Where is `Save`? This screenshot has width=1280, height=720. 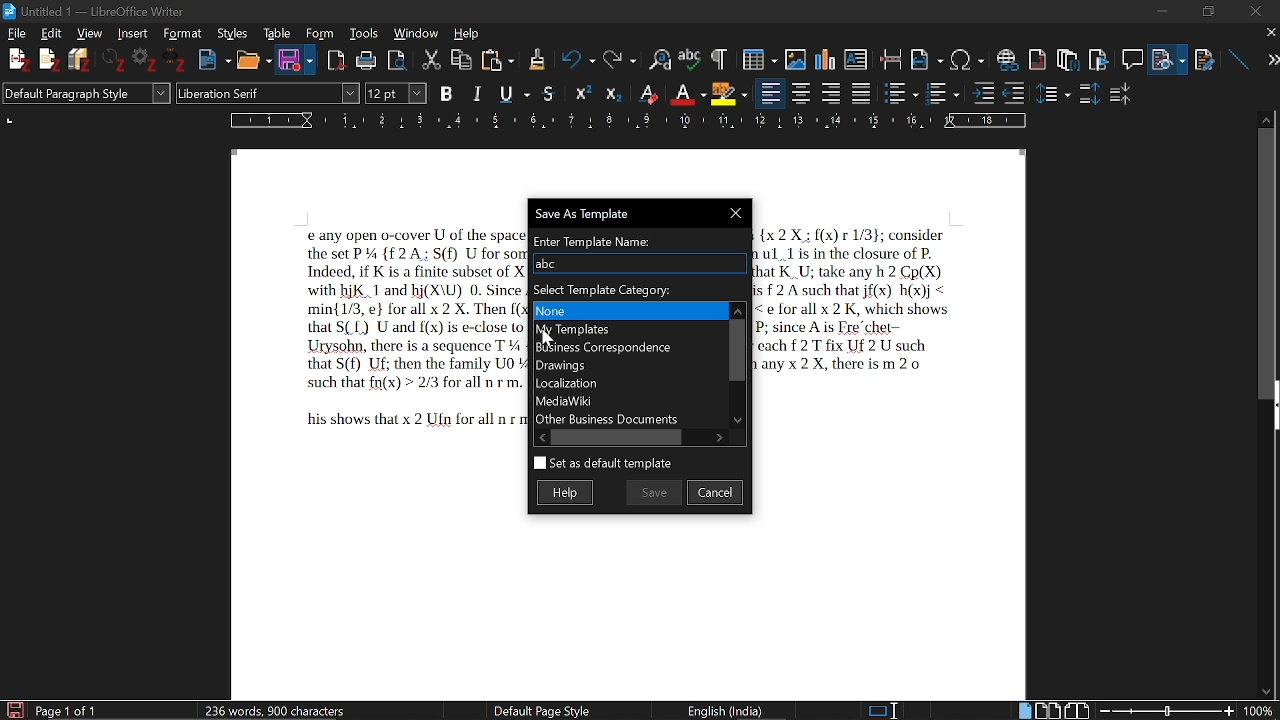 Save is located at coordinates (654, 491).